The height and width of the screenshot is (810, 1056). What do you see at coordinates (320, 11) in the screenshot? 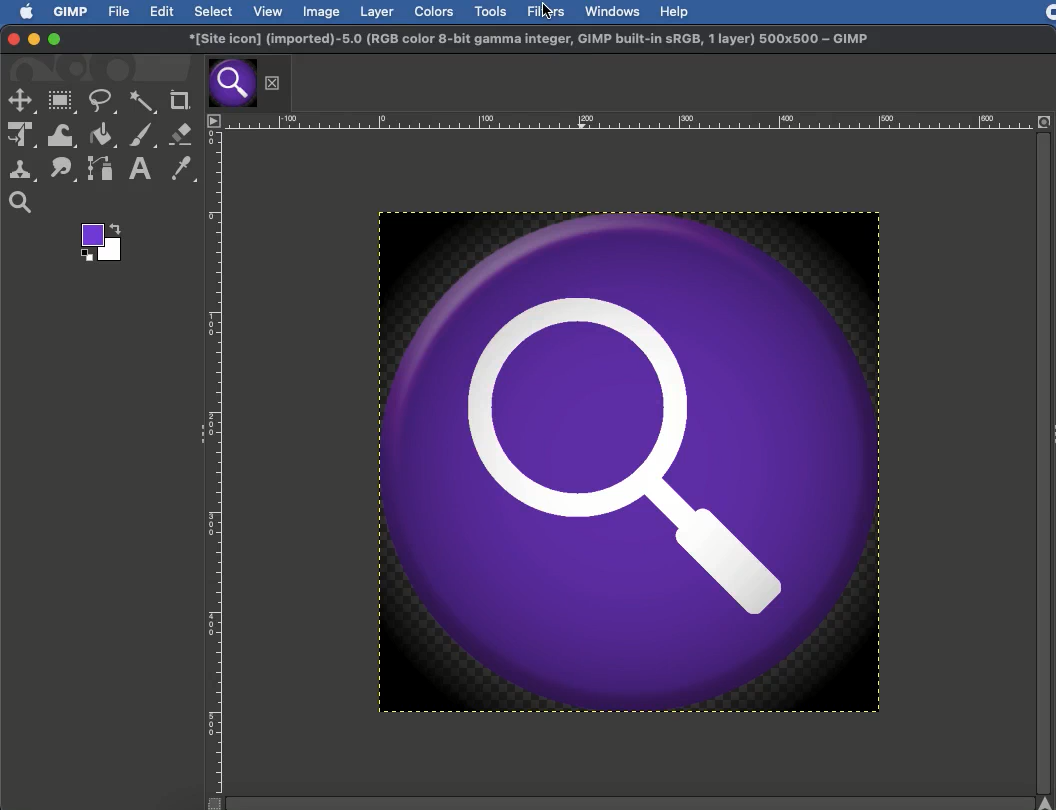
I see `Image` at bounding box center [320, 11].